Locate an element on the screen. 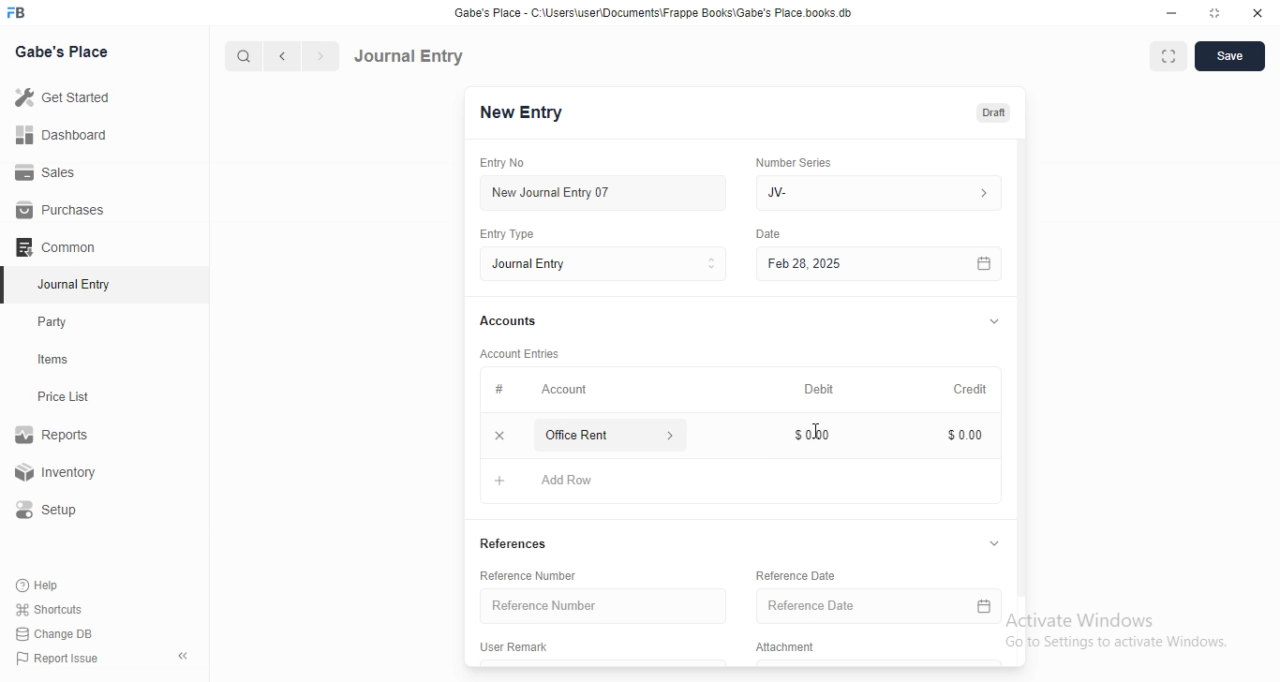  Comman is located at coordinates (49, 247).